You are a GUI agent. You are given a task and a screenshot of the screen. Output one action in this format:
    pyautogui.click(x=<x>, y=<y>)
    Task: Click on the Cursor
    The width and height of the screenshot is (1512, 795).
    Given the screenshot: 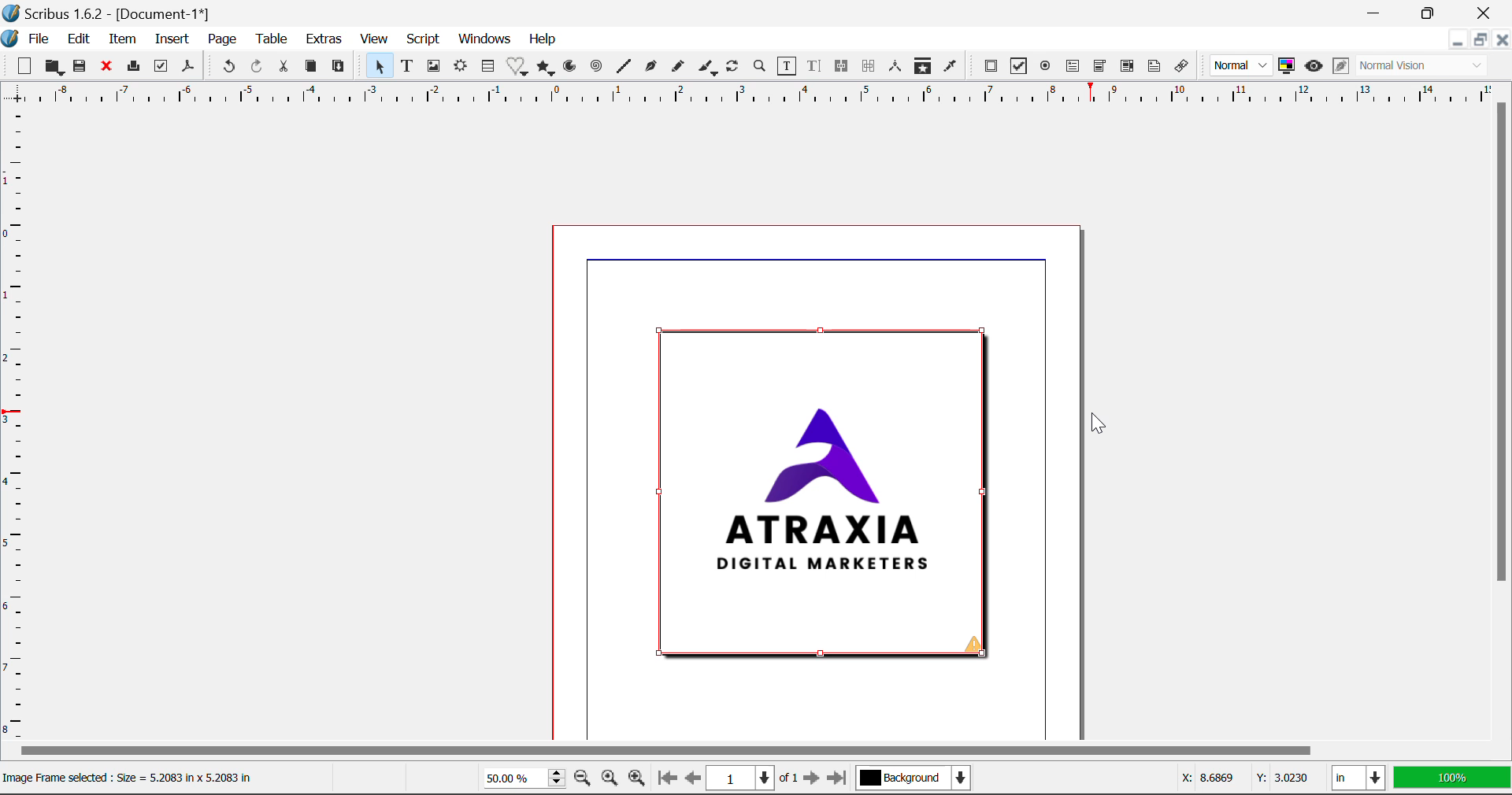 What is the action you would take?
    pyautogui.click(x=1097, y=426)
    